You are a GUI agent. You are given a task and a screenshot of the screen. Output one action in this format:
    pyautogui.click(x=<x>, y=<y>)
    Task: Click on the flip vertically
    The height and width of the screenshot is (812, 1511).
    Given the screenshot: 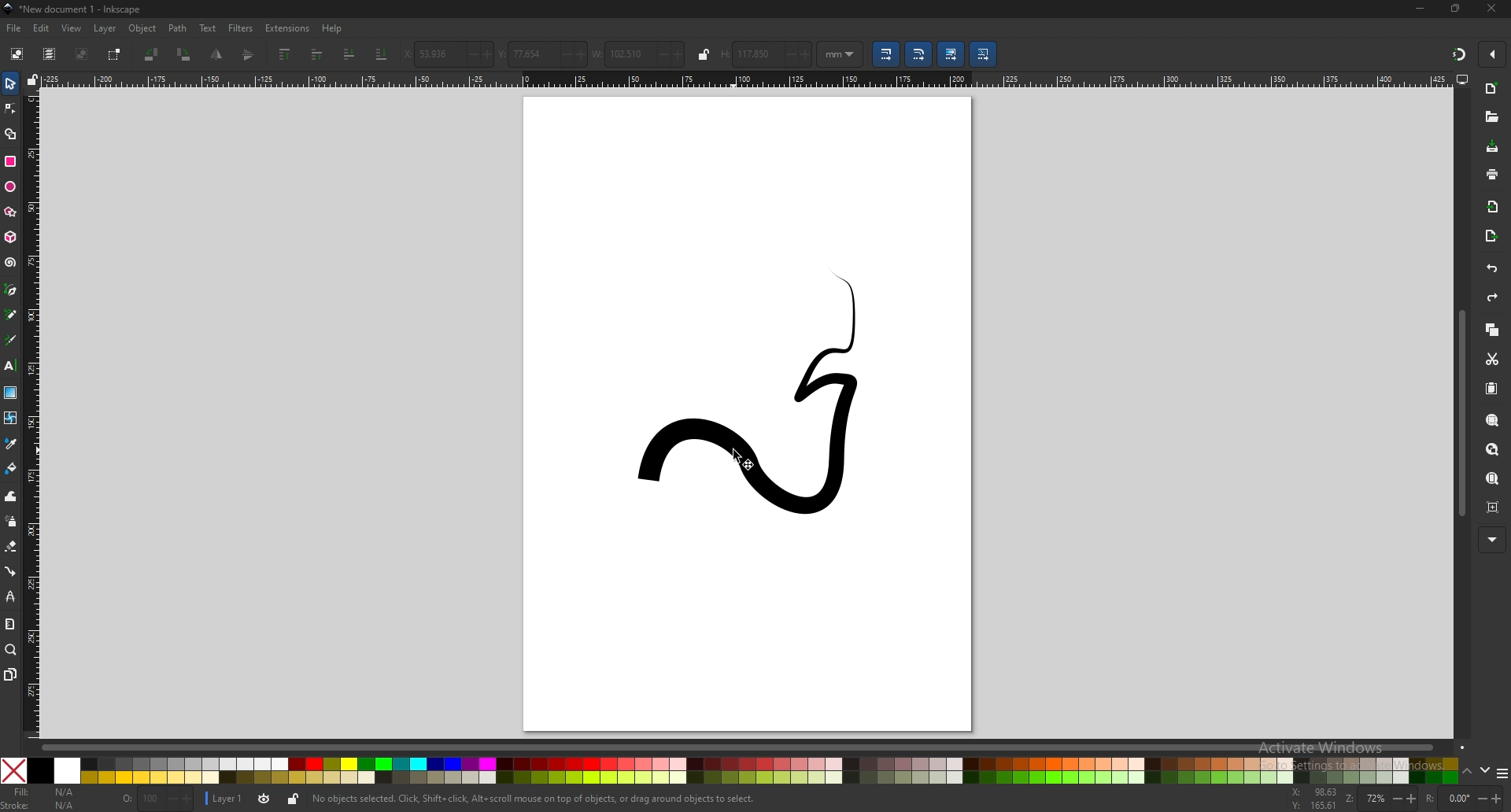 What is the action you would take?
    pyautogui.click(x=216, y=55)
    